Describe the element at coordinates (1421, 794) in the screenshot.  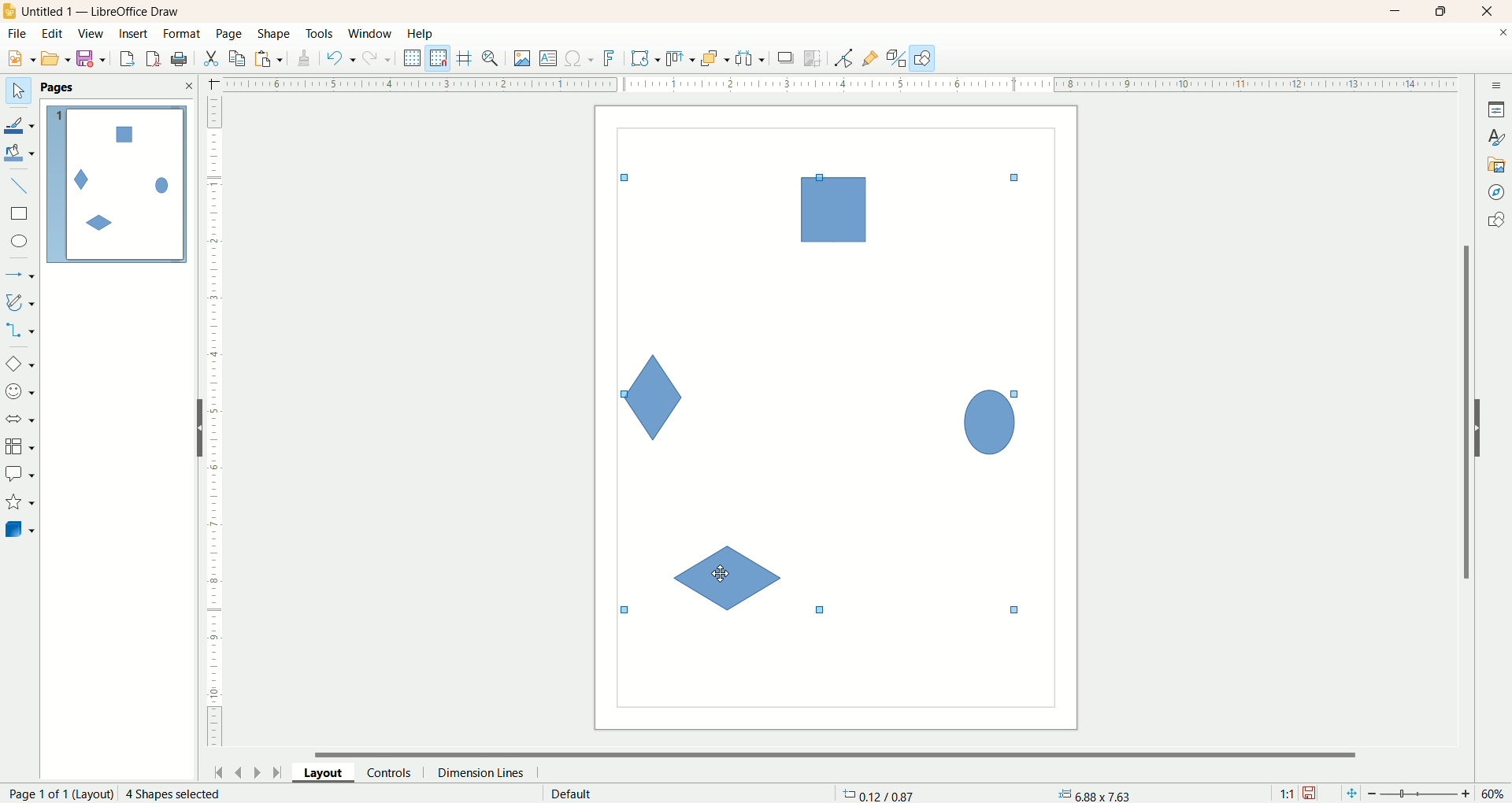
I see `zoom factor` at that location.